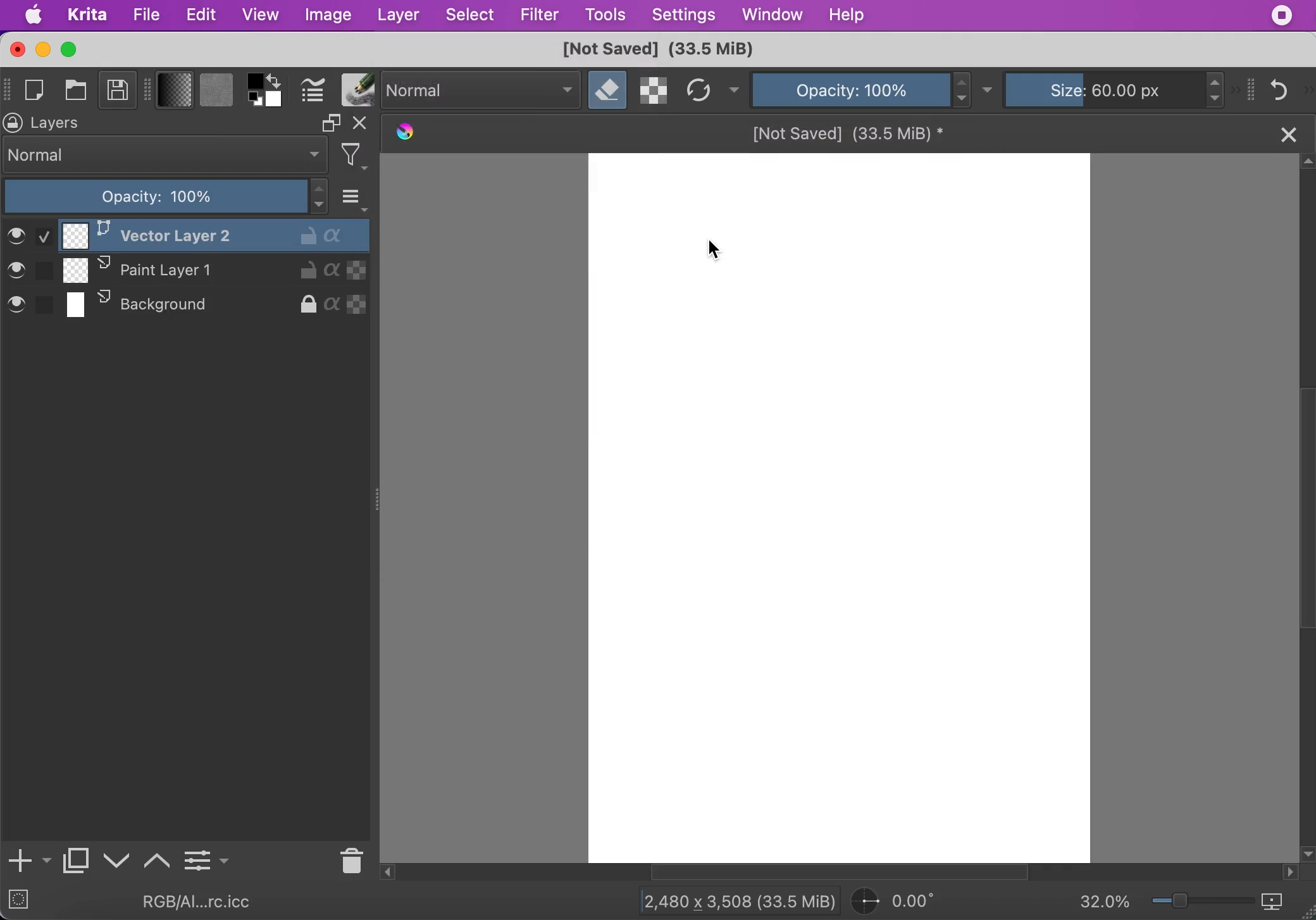 This screenshot has width=1316, height=920. Describe the element at coordinates (256, 80) in the screenshot. I see `set foreground color` at that location.